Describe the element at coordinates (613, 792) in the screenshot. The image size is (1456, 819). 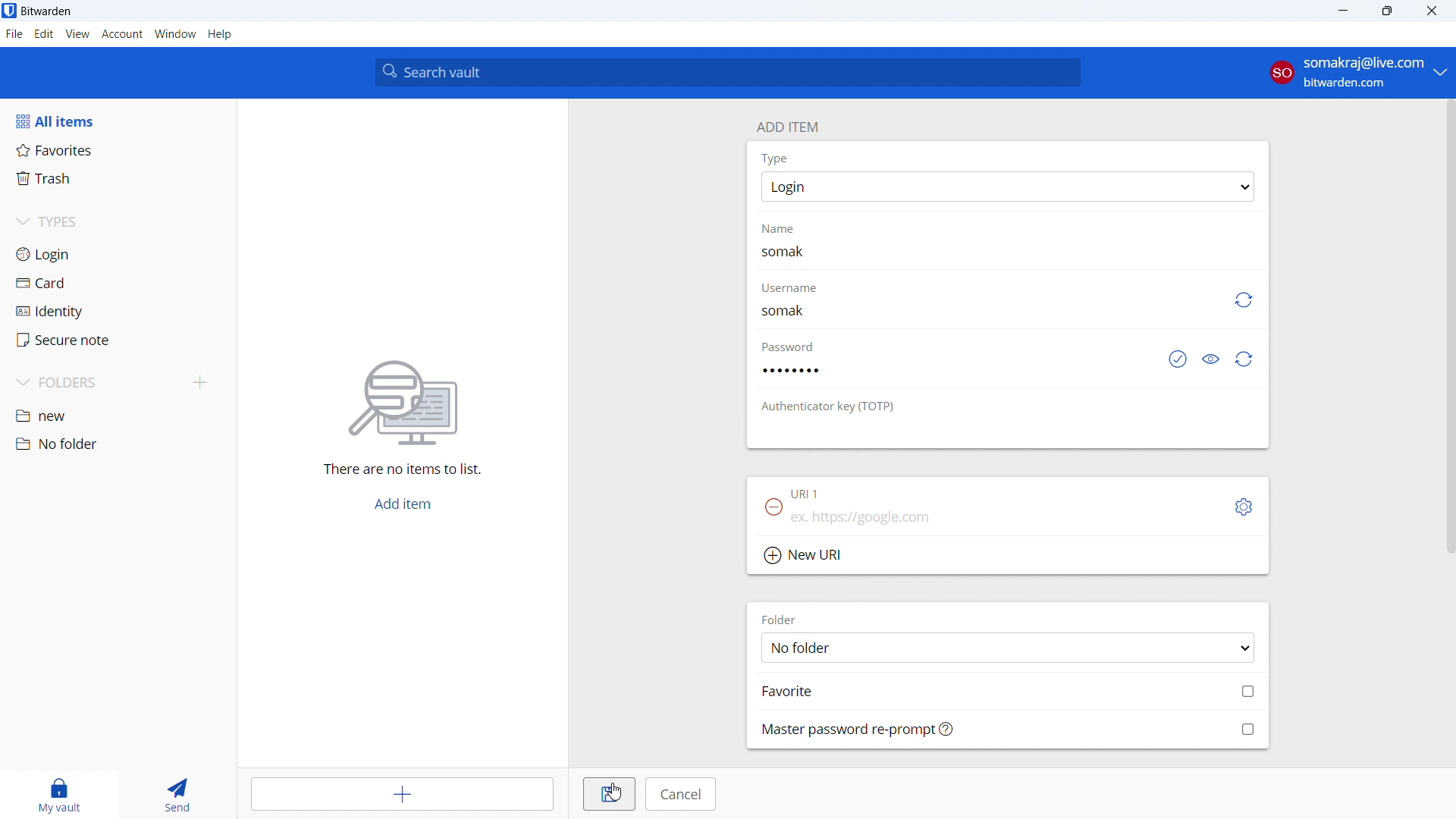
I see `CURSOR` at that location.